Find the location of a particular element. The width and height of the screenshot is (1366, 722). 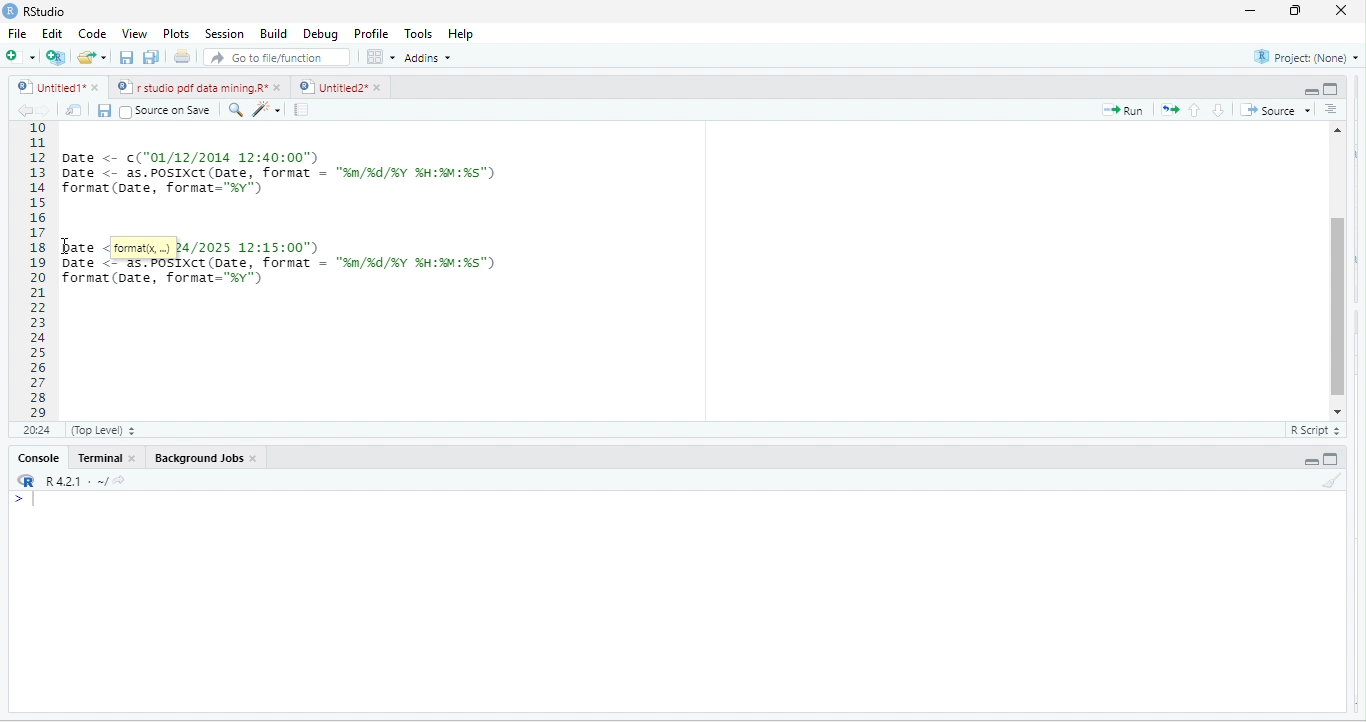

hide r script is located at coordinates (1310, 461).